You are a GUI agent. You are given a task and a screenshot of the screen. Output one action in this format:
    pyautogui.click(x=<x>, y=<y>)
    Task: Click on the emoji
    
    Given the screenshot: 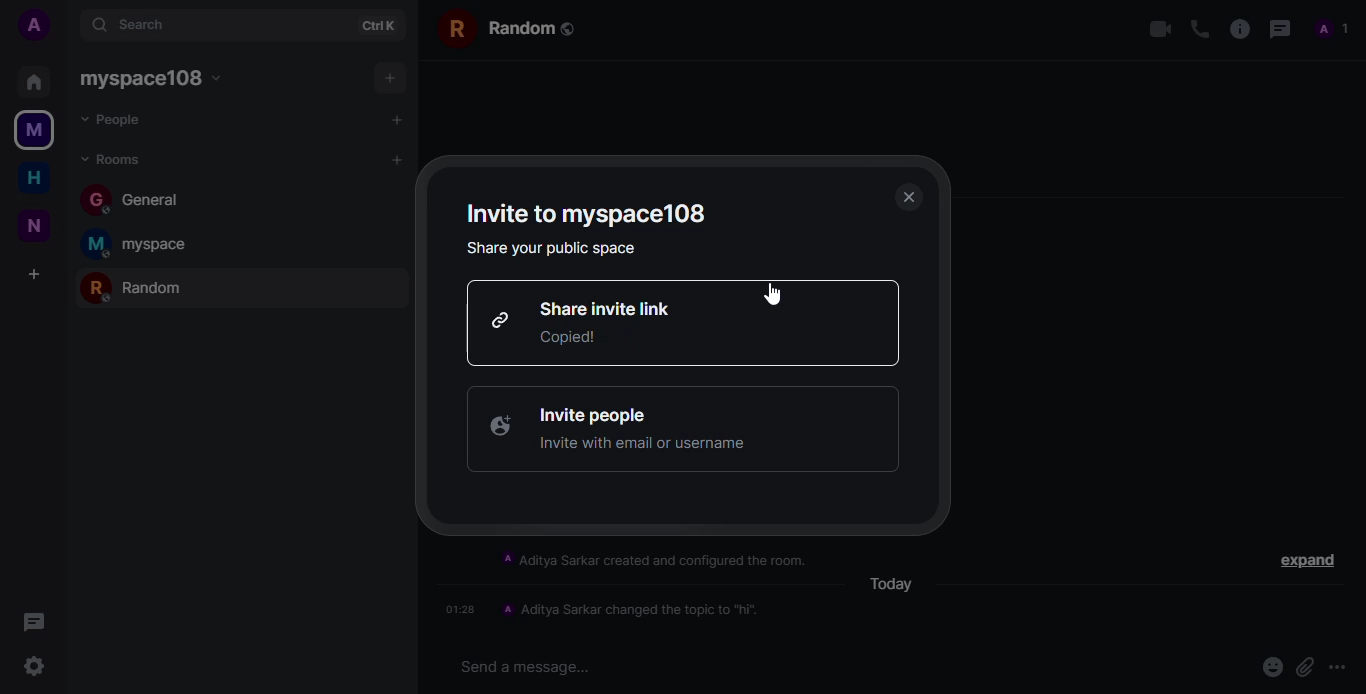 What is the action you would take?
    pyautogui.click(x=1267, y=666)
    